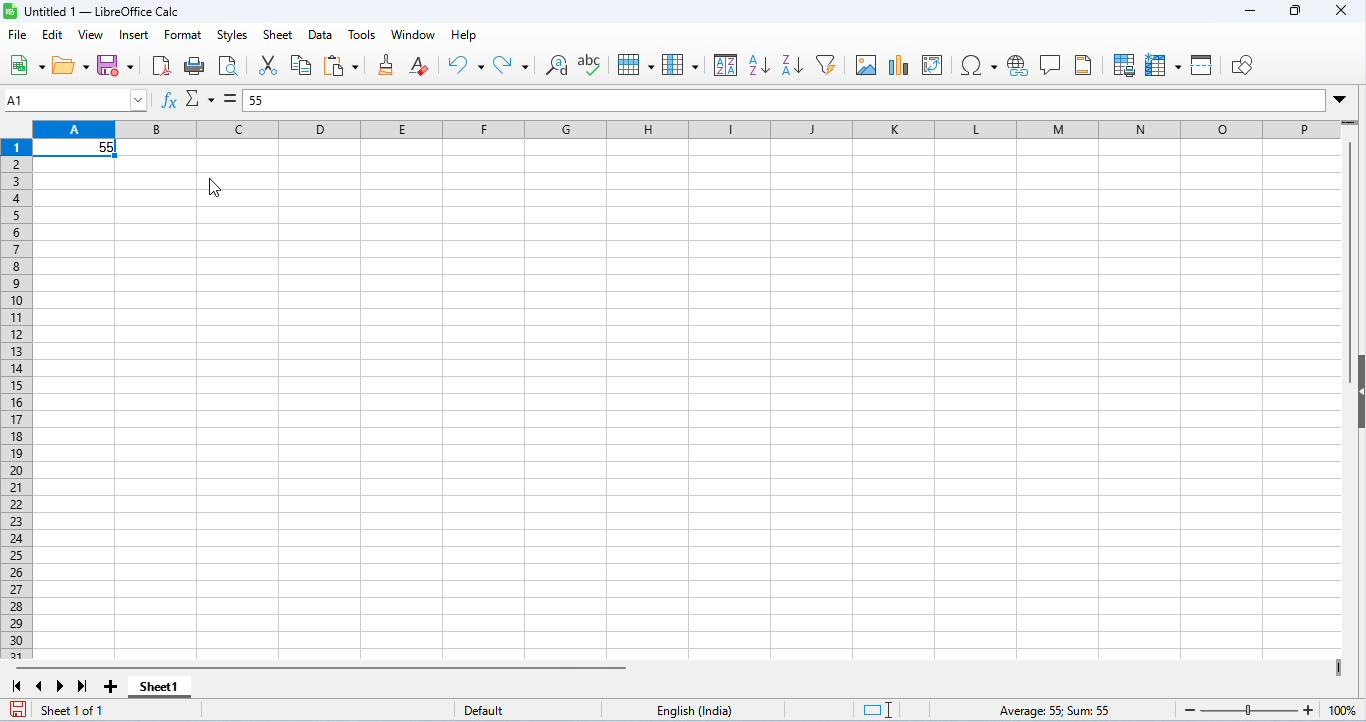 The image size is (1366, 722). What do you see at coordinates (421, 65) in the screenshot?
I see `clear direct formatting` at bounding box center [421, 65].